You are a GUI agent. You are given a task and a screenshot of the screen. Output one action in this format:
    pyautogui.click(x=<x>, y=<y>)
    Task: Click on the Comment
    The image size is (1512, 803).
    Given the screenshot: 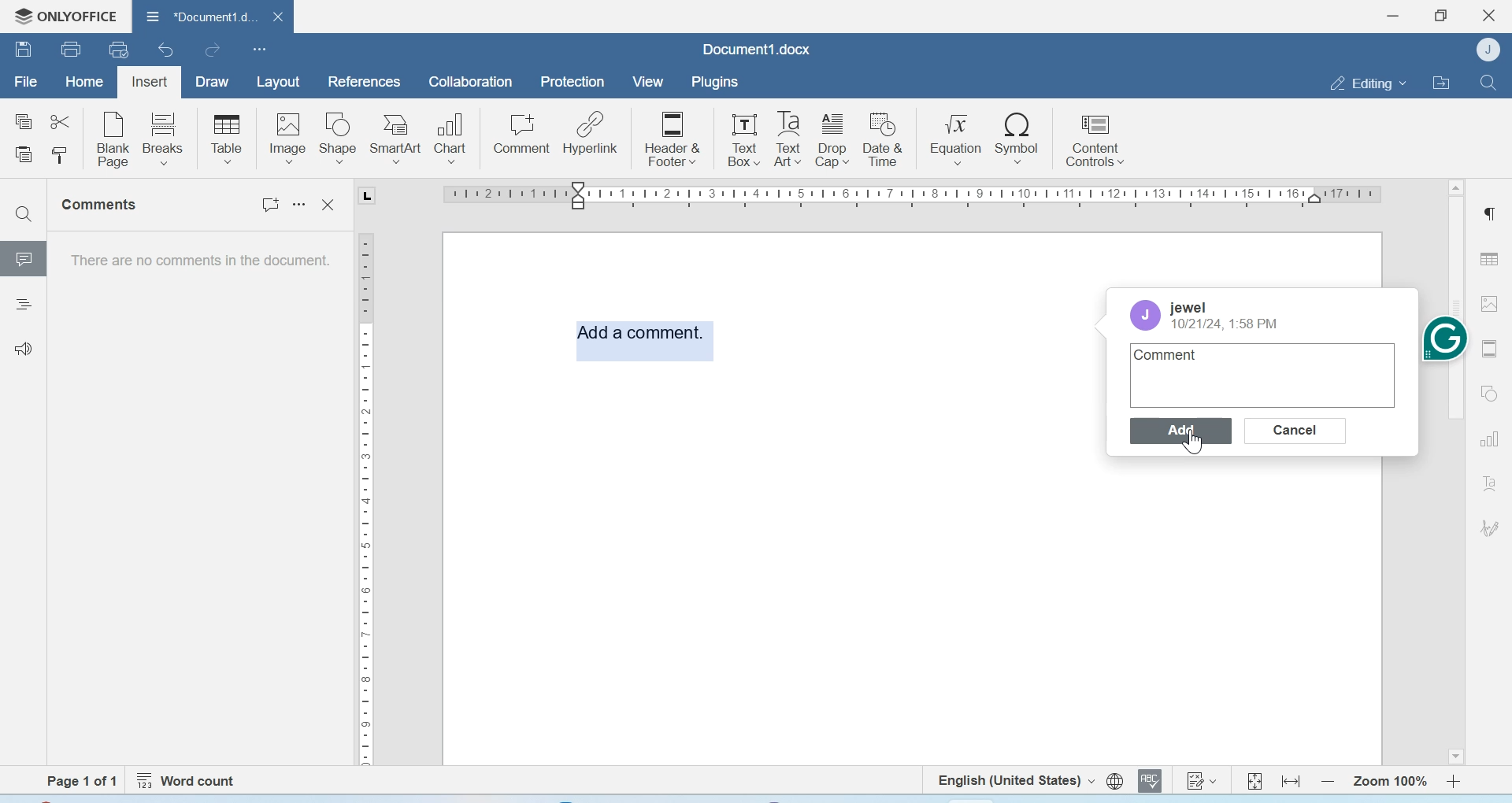 What is the action you would take?
    pyautogui.click(x=1171, y=355)
    